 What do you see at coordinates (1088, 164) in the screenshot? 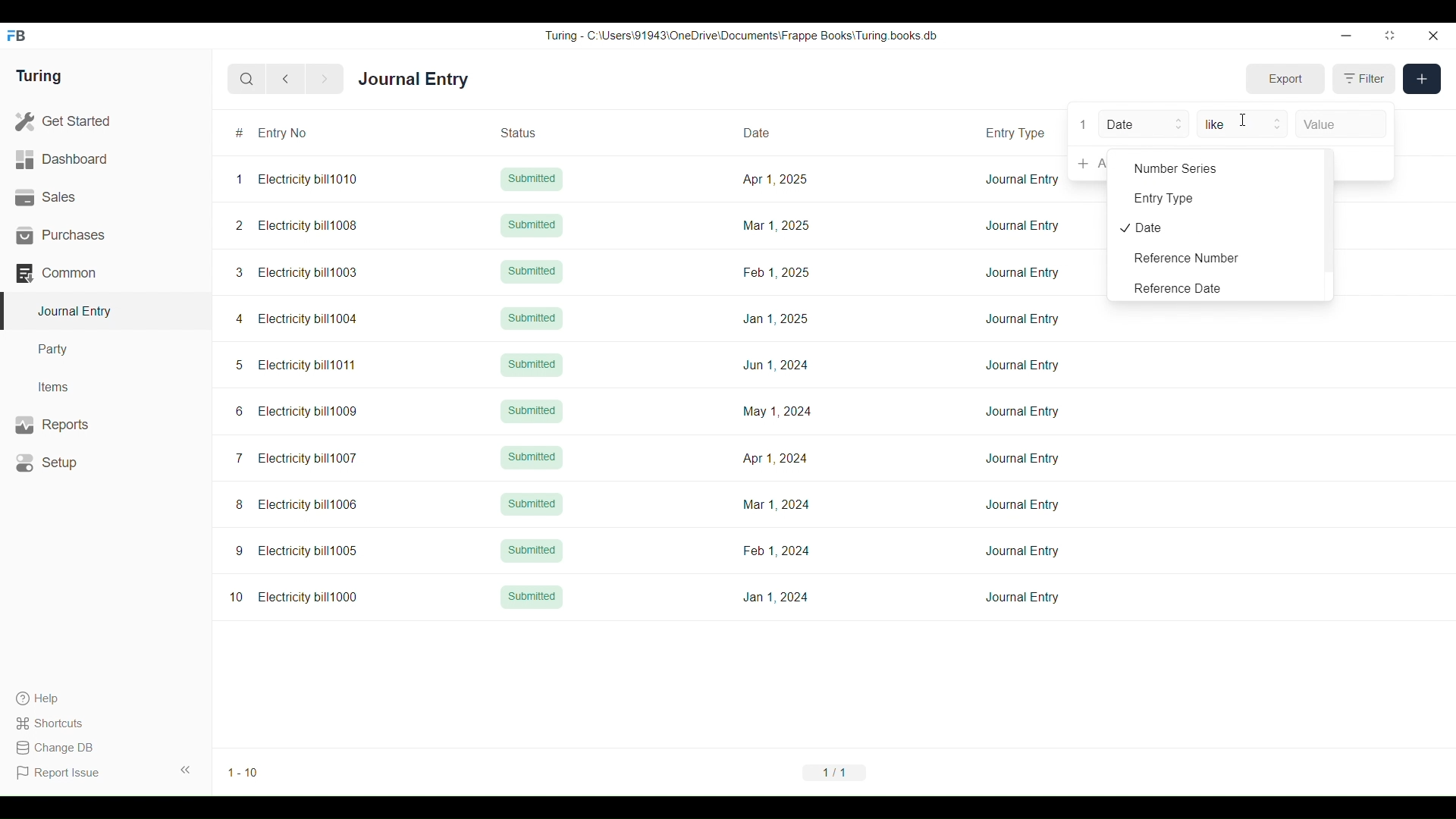
I see `Add a filter` at bounding box center [1088, 164].